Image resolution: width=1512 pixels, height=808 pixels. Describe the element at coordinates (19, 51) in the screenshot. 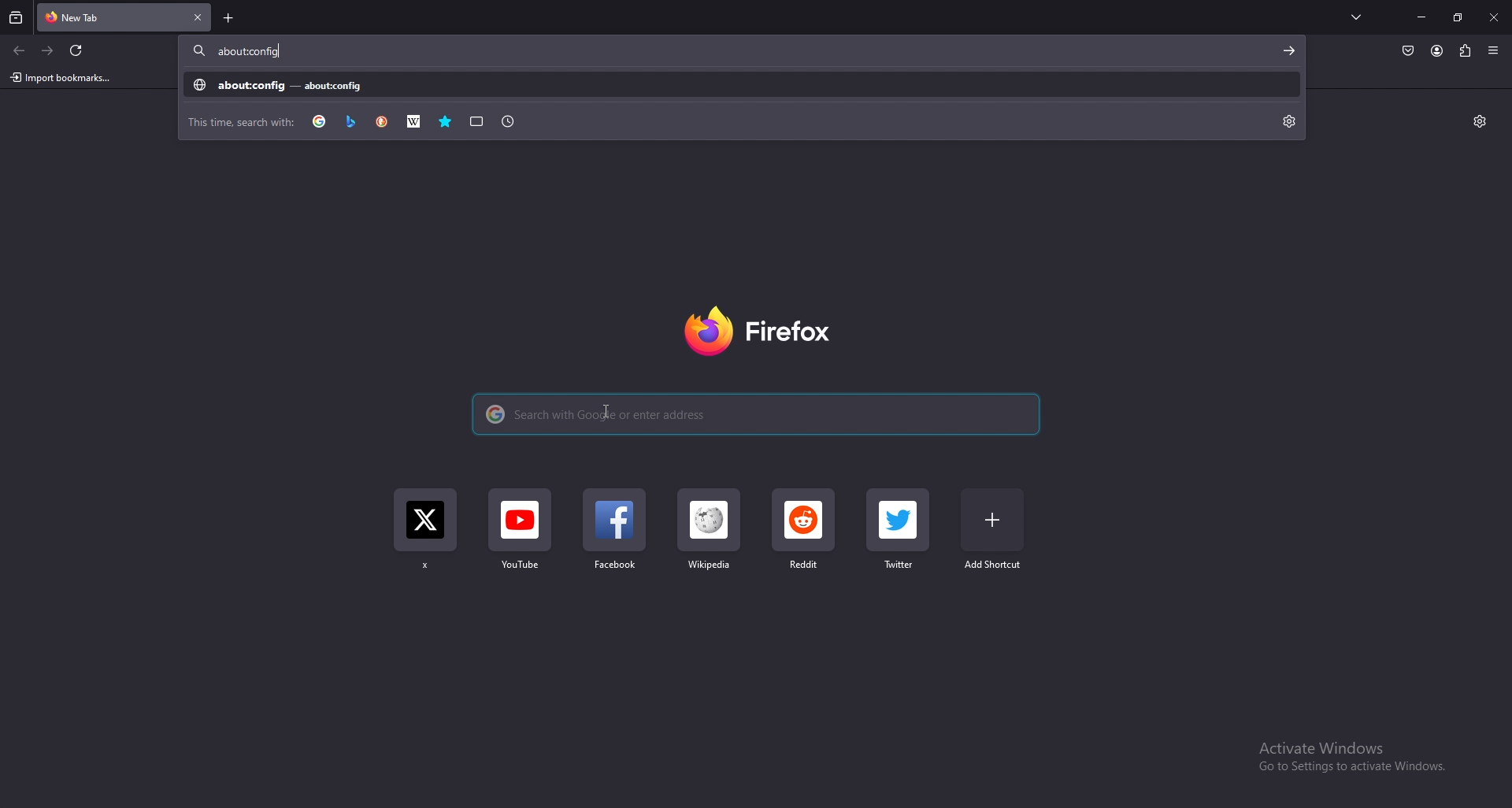

I see `back` at that location.